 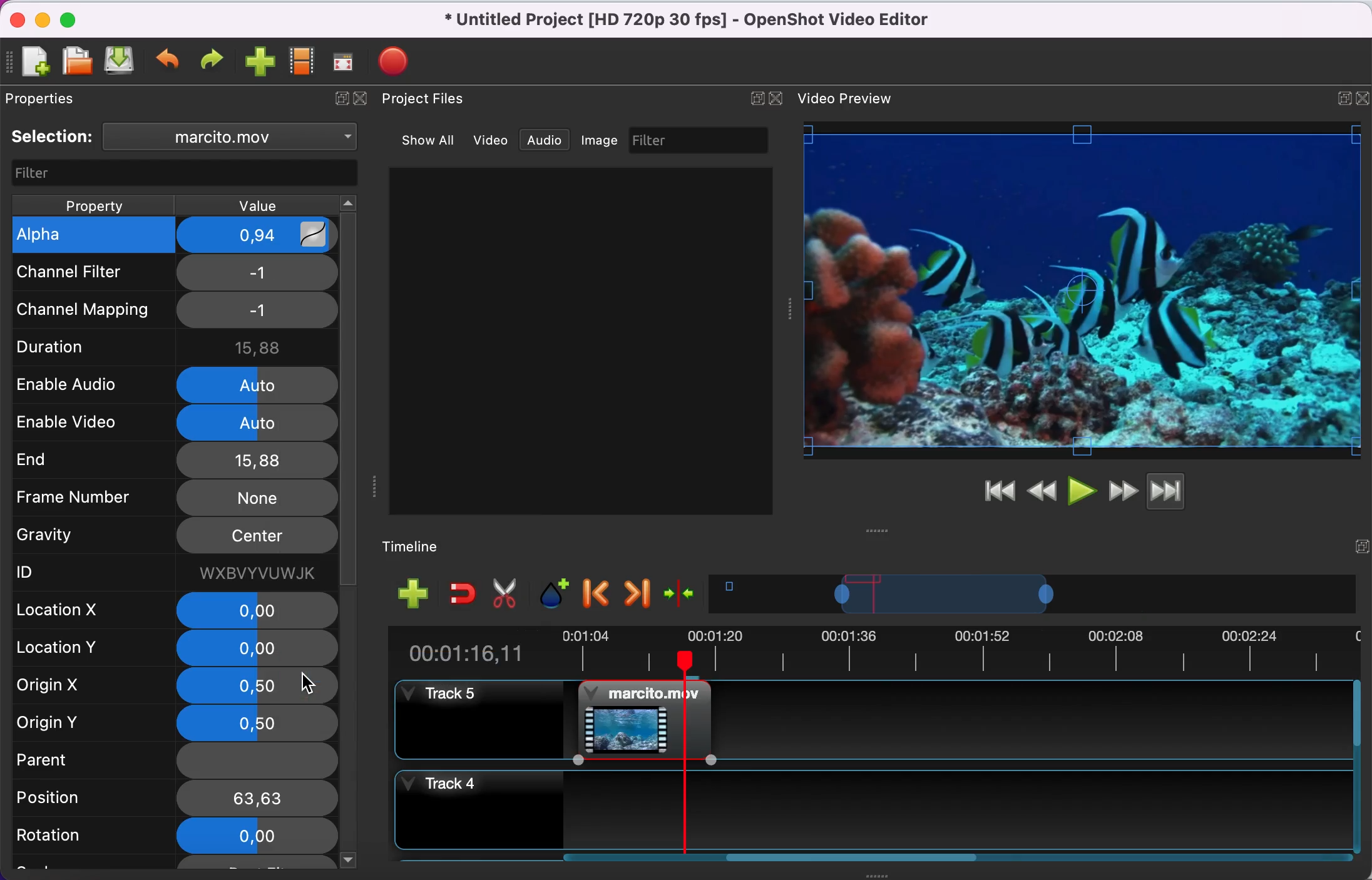 I want to click on Frame Number, so click(x=76, y=499).